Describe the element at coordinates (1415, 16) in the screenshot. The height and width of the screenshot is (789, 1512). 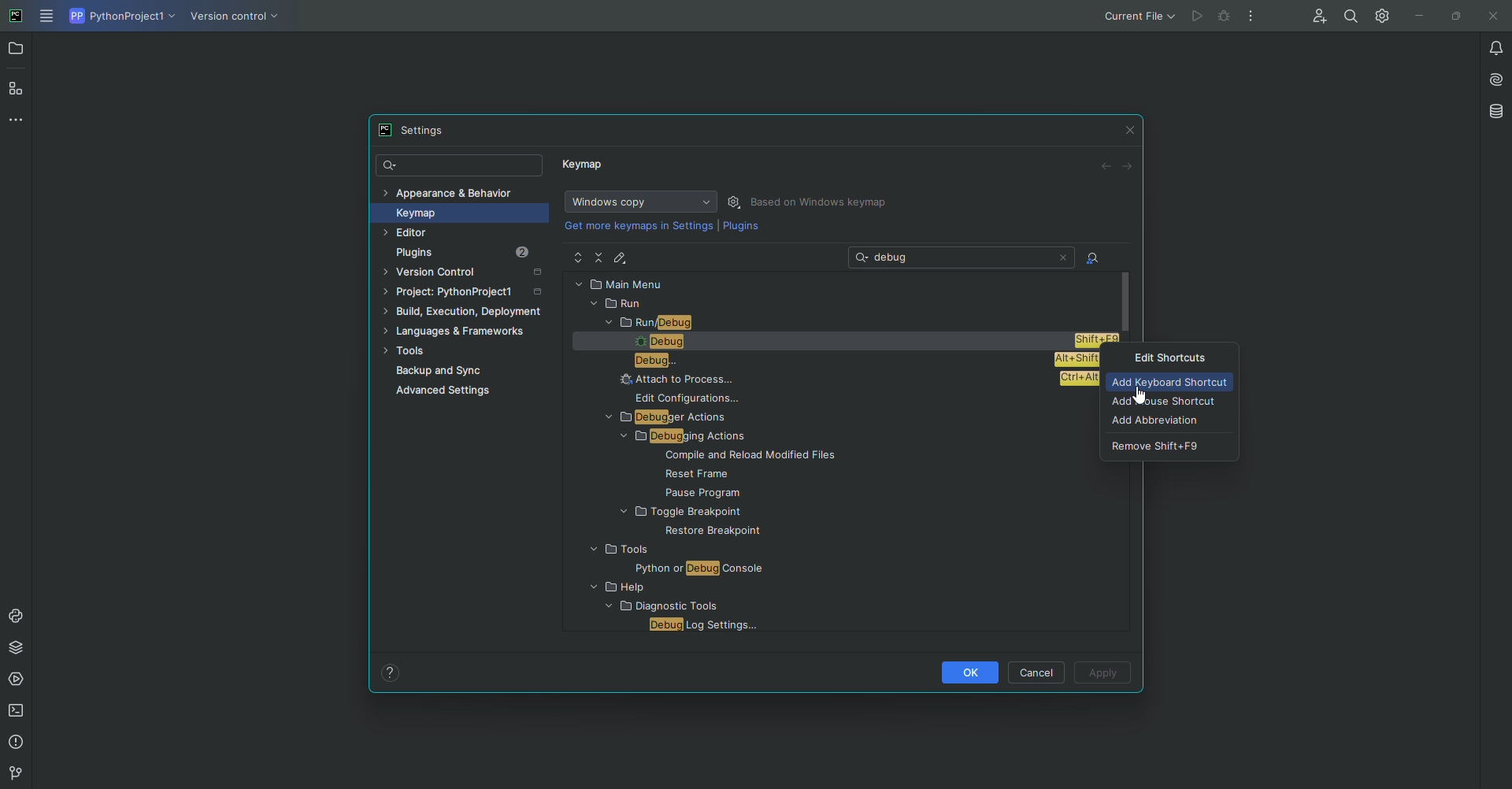
I see `Minimize` at that location.